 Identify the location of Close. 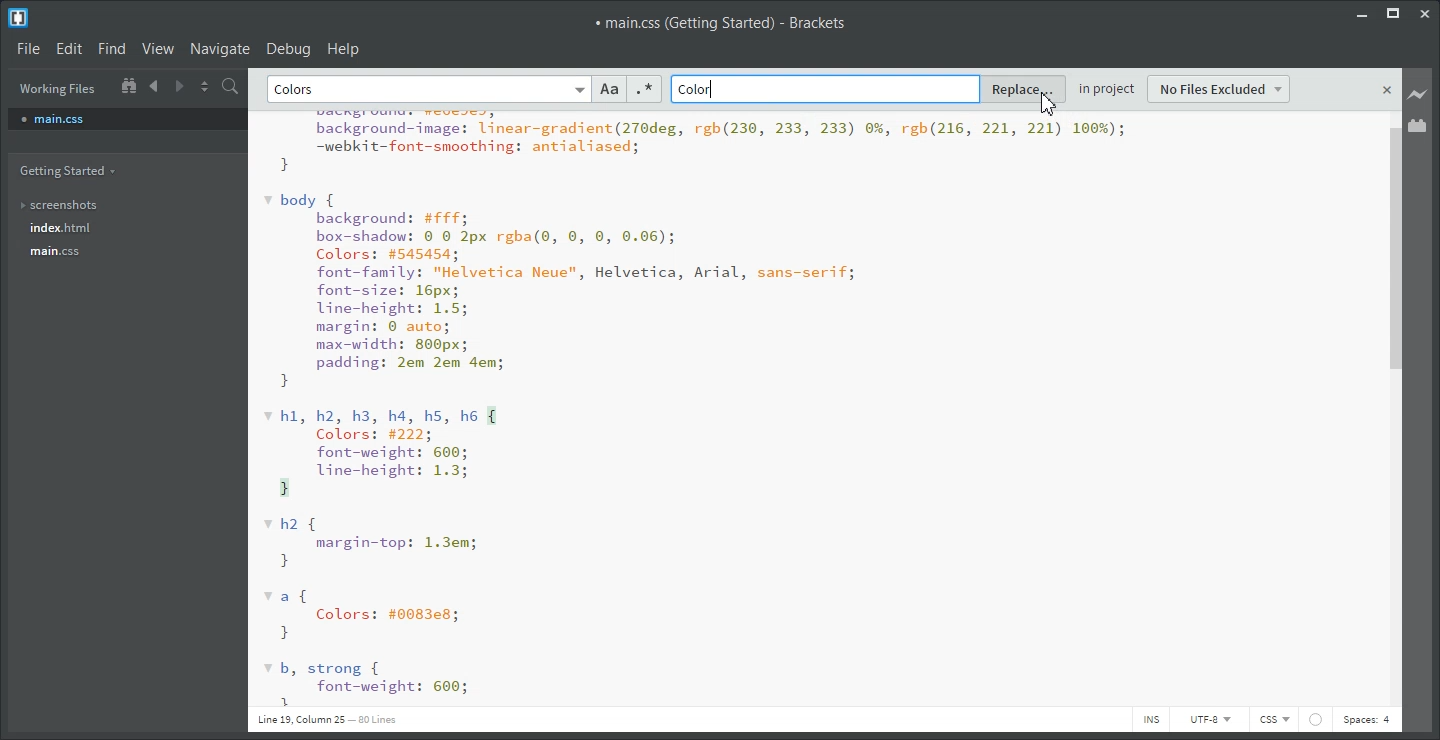
(1427, 13).